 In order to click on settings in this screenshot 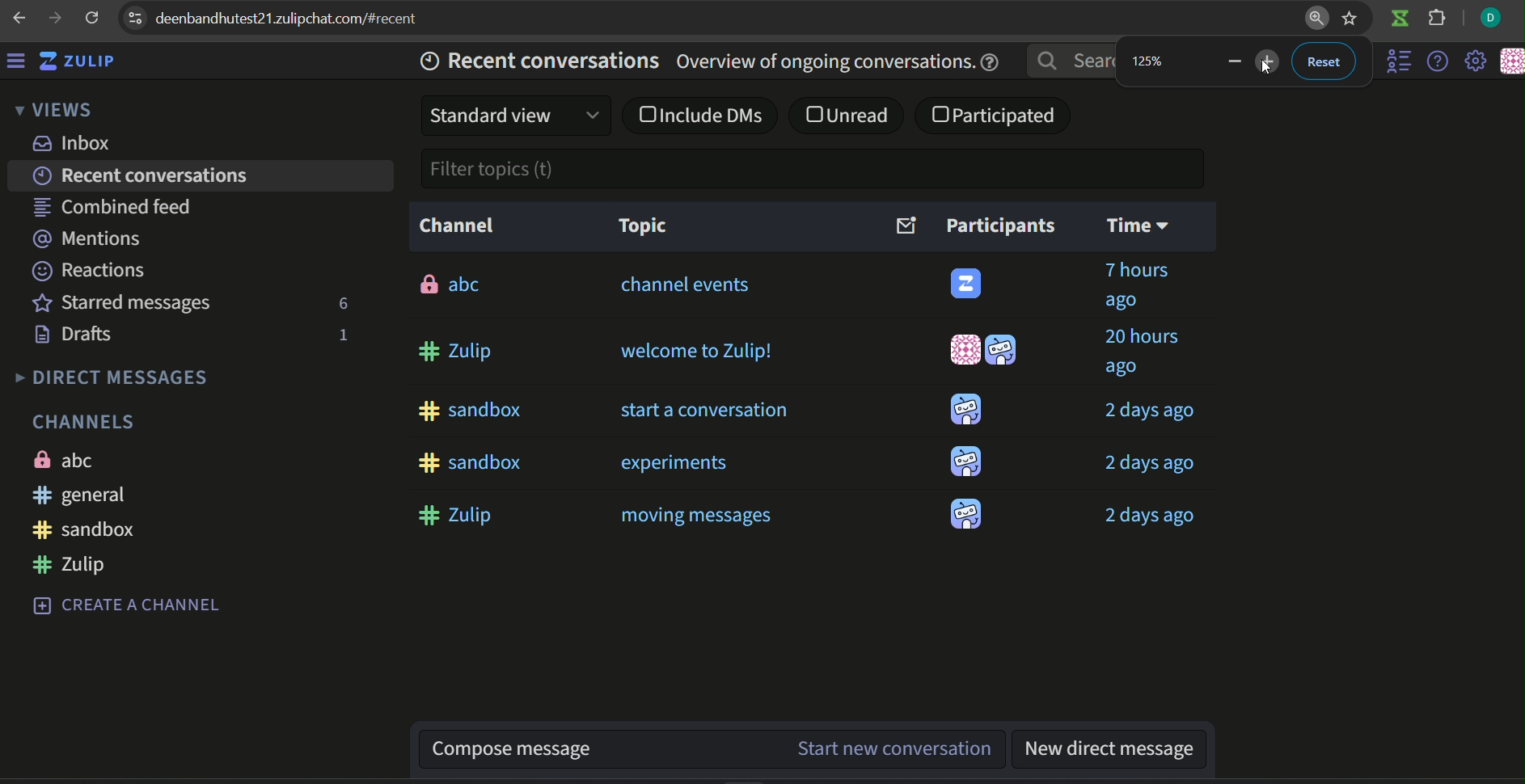, I will do `click(1476, 62)`.